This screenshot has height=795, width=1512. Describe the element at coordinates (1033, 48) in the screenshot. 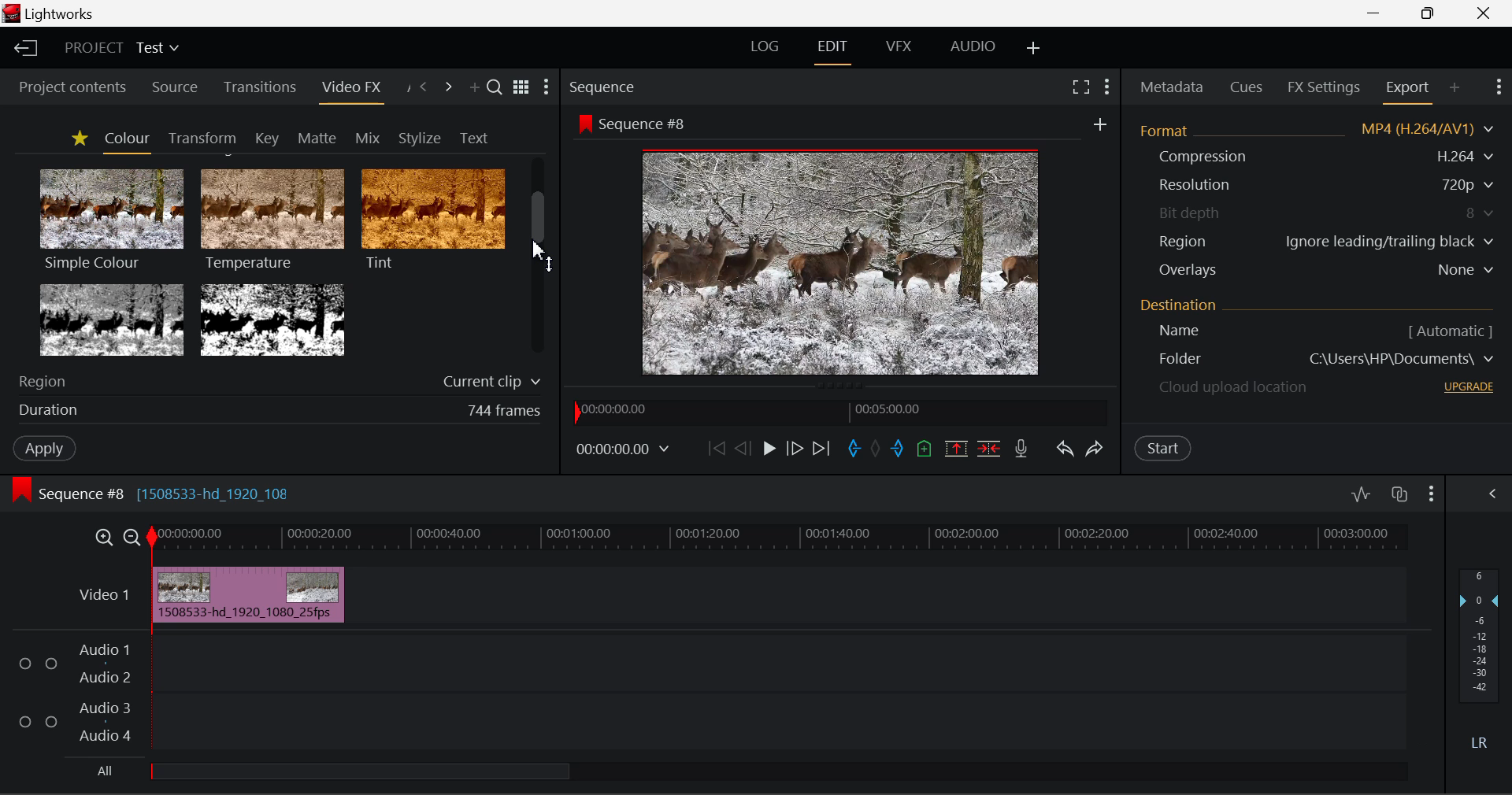

I see `Add Layout` at that location.